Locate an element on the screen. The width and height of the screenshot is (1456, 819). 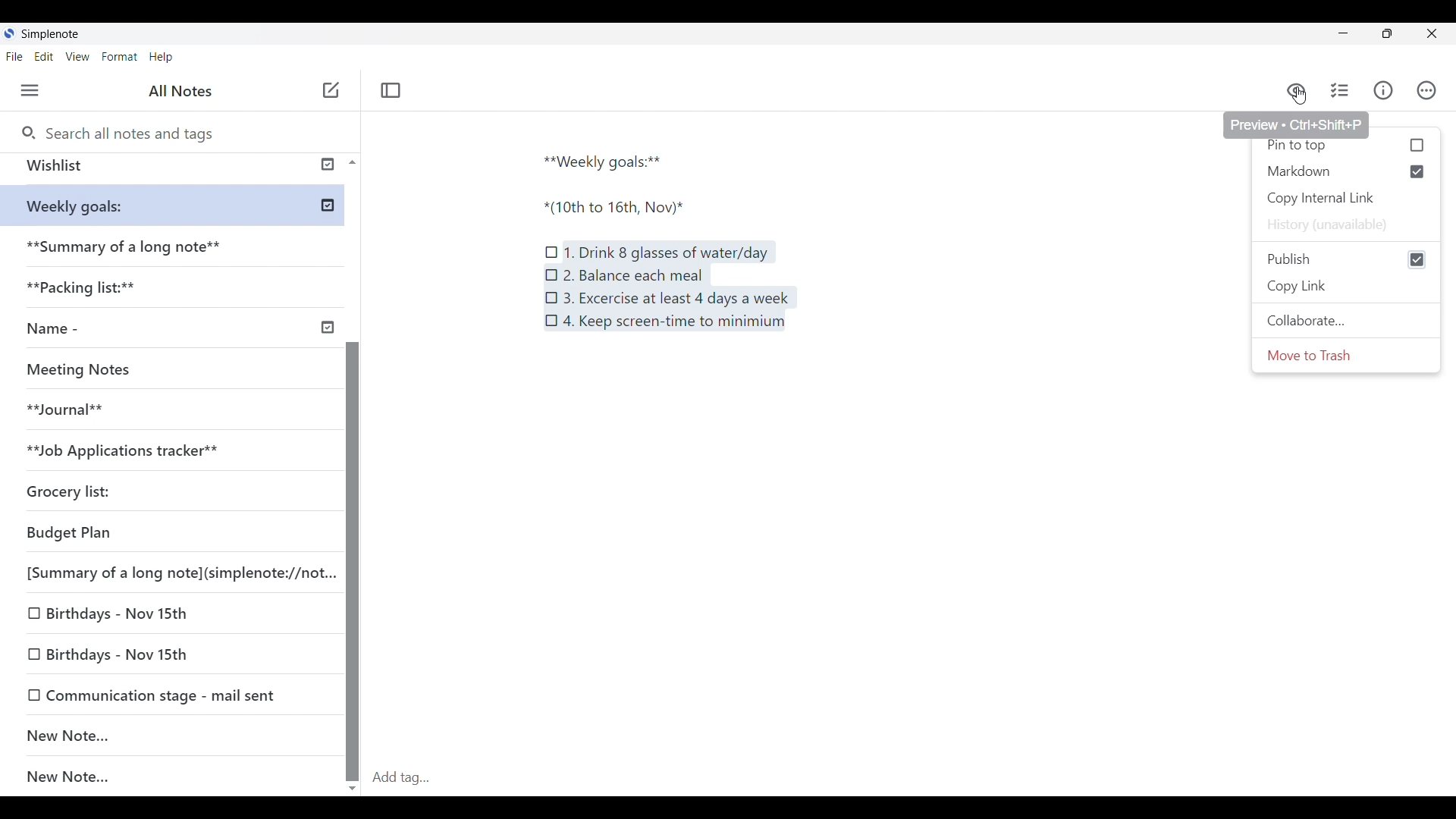
Add tag is located at coordinates (910, 777).